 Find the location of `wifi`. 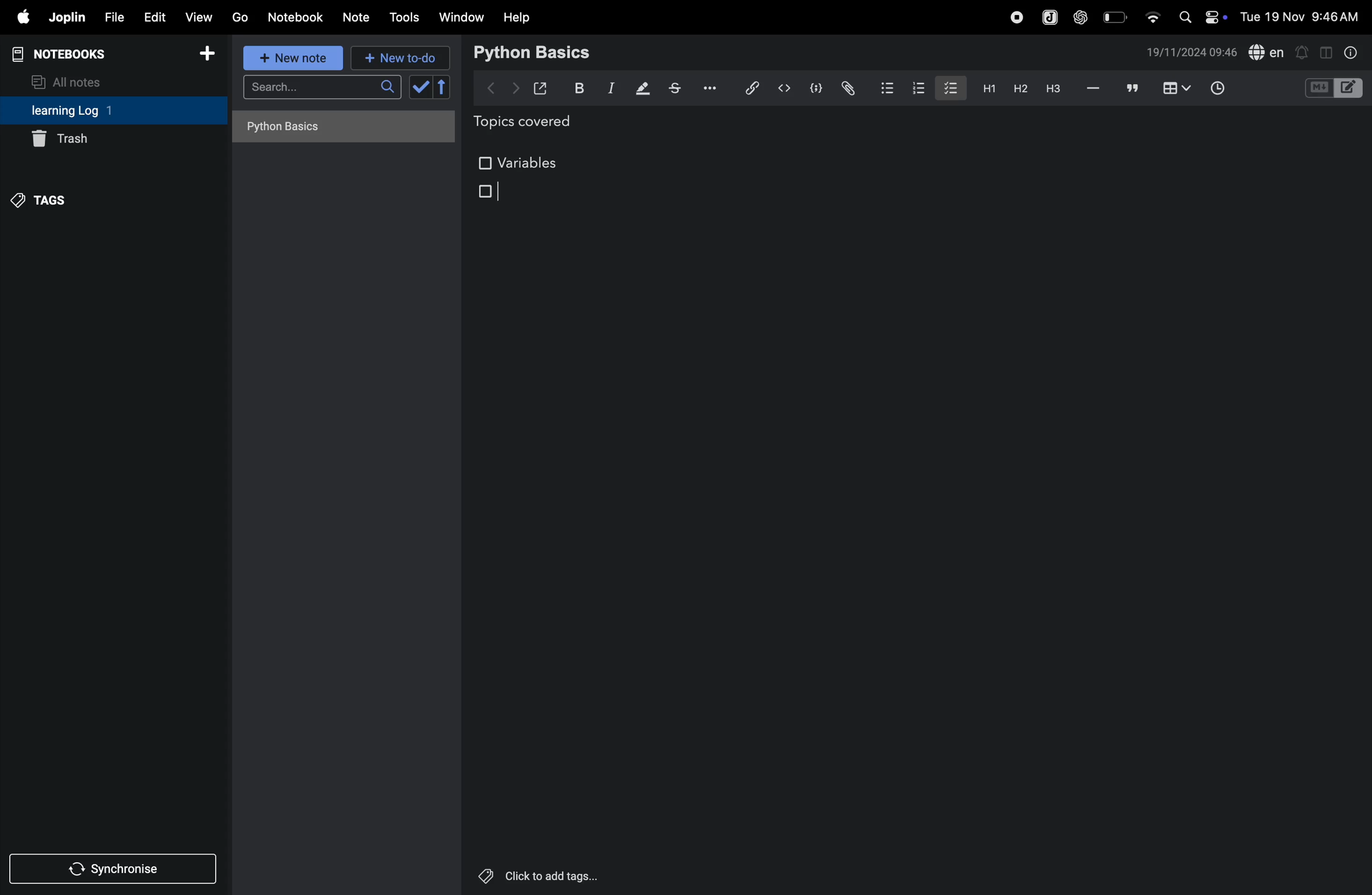

wifi is located at coordinates (1152, 13).